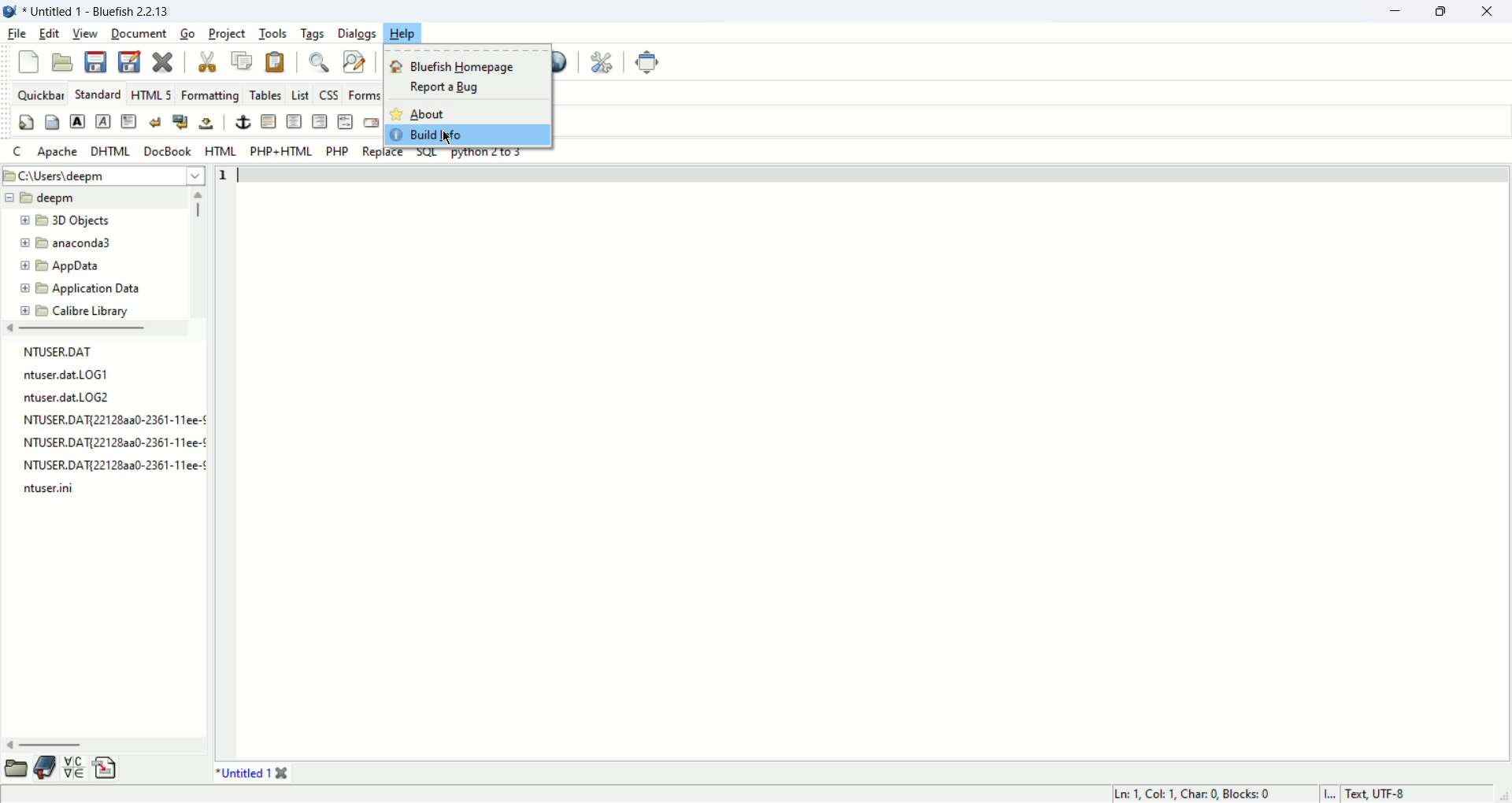  I want to click on quickbar, so click(40, 92).